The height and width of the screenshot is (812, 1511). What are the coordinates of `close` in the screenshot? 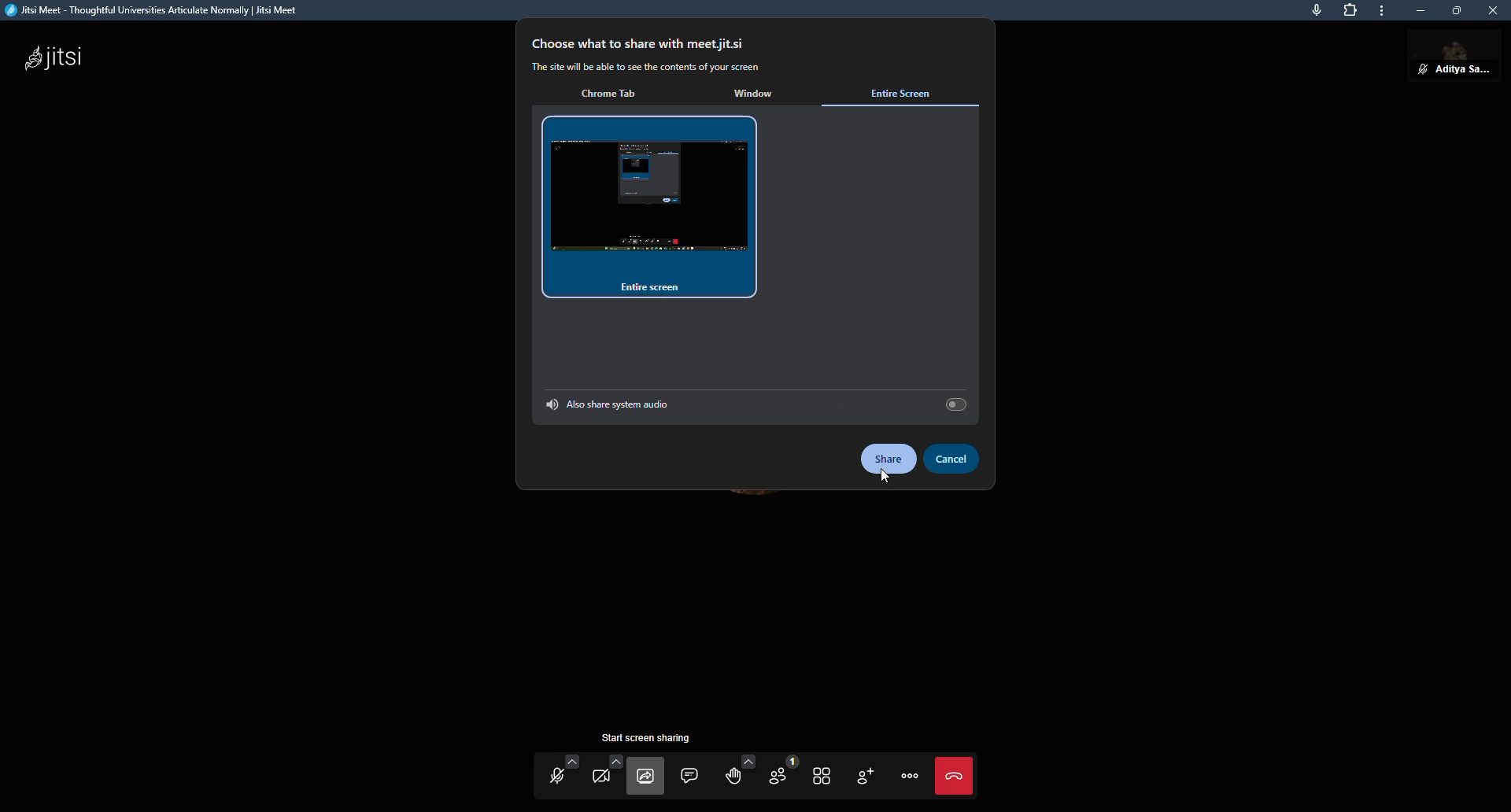 It's located at (1493, 13).